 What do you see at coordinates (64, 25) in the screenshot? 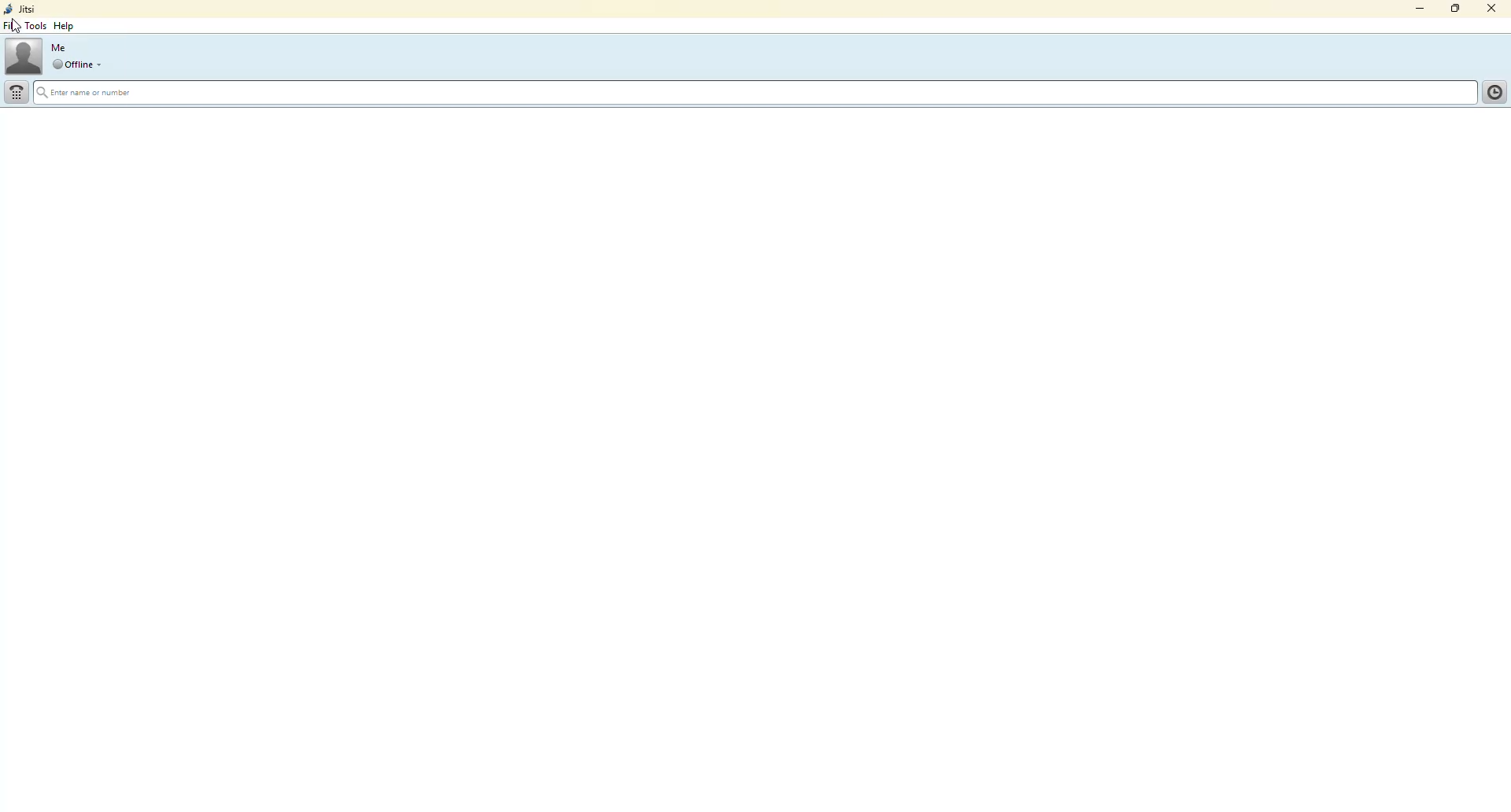
I see `help` at bounding box center [64, 25].